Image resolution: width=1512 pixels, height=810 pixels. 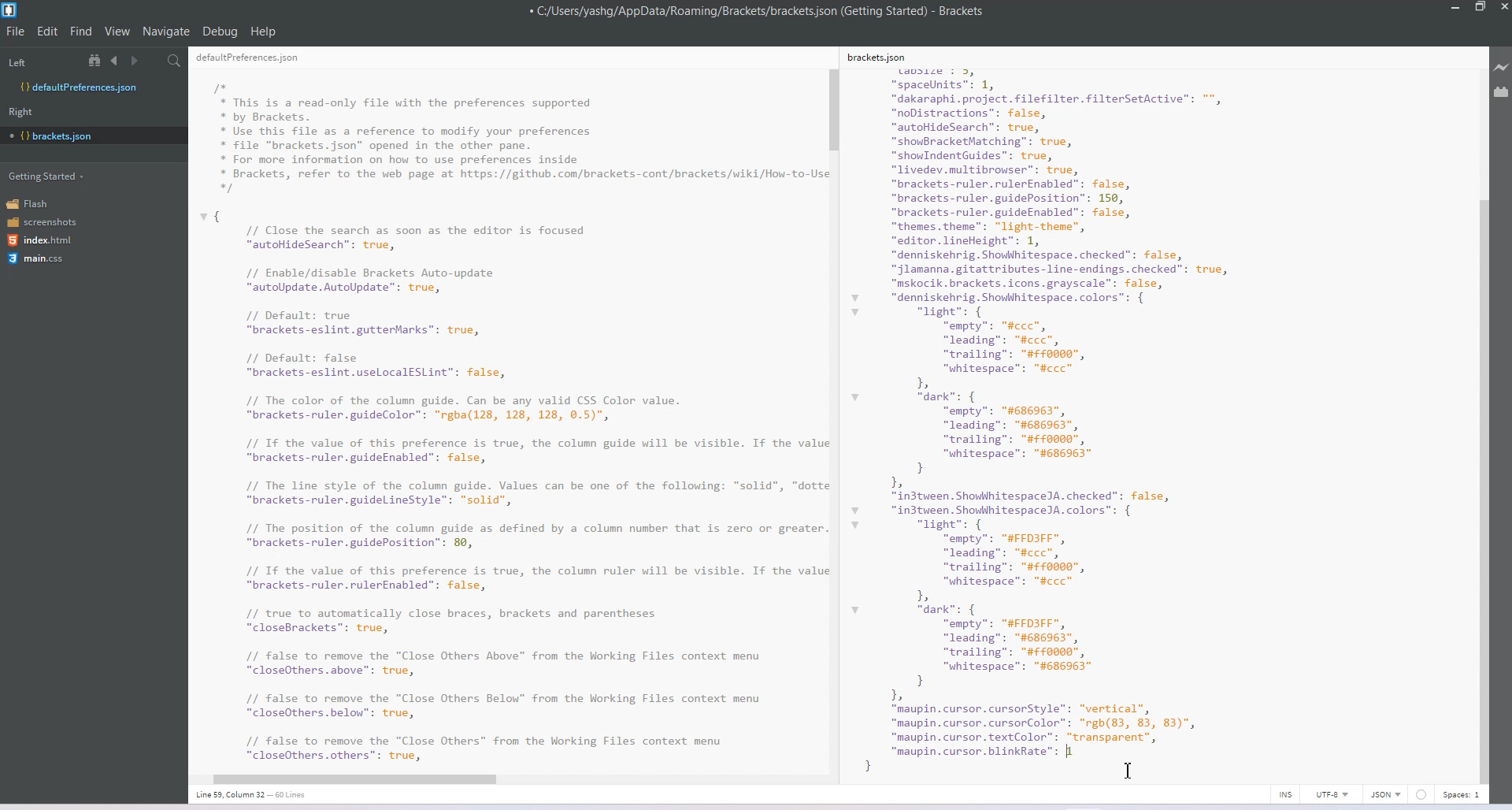 What do you see at coordinates (11, 10) in the screenshot?
I see `Logo` at bounding box center [11, 10].